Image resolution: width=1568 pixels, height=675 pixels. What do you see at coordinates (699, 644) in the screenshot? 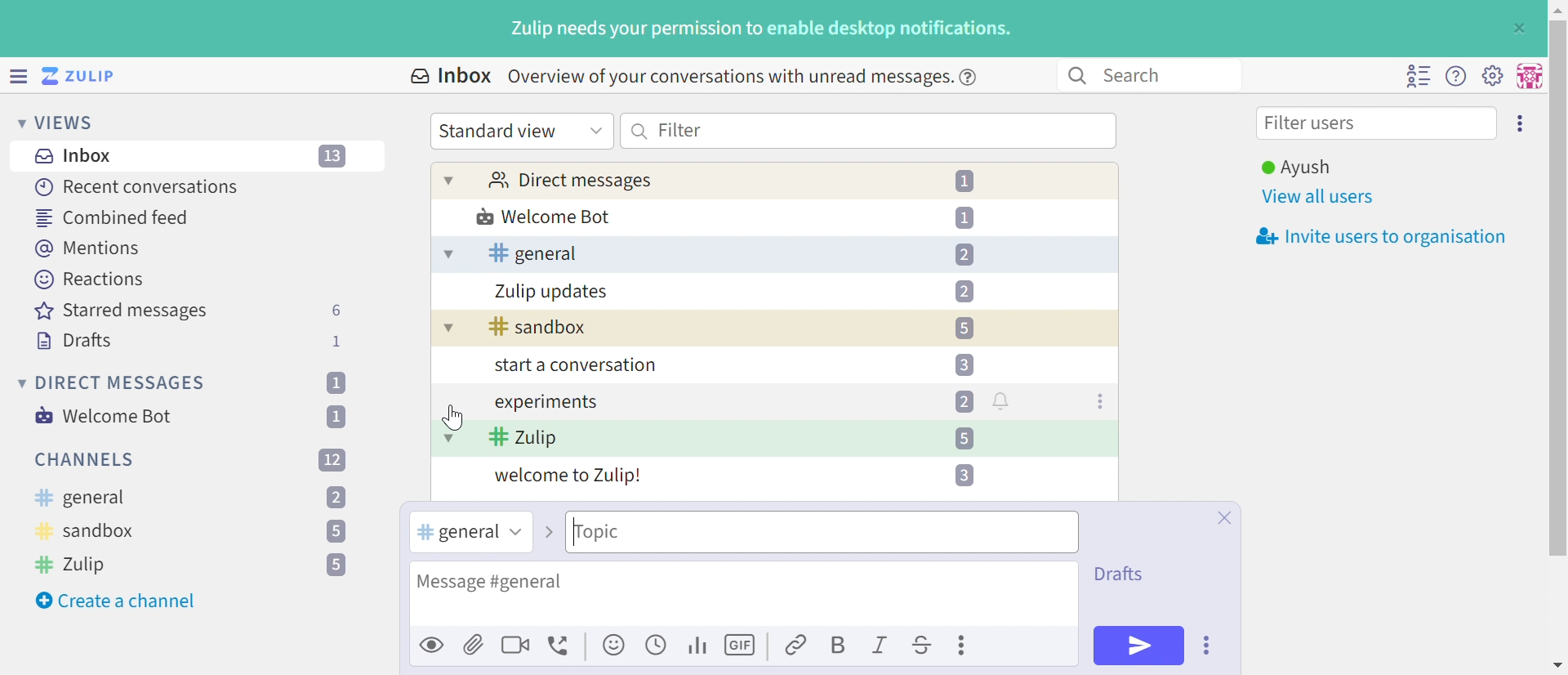
I see `Polls` at bounding box center [699, 644].